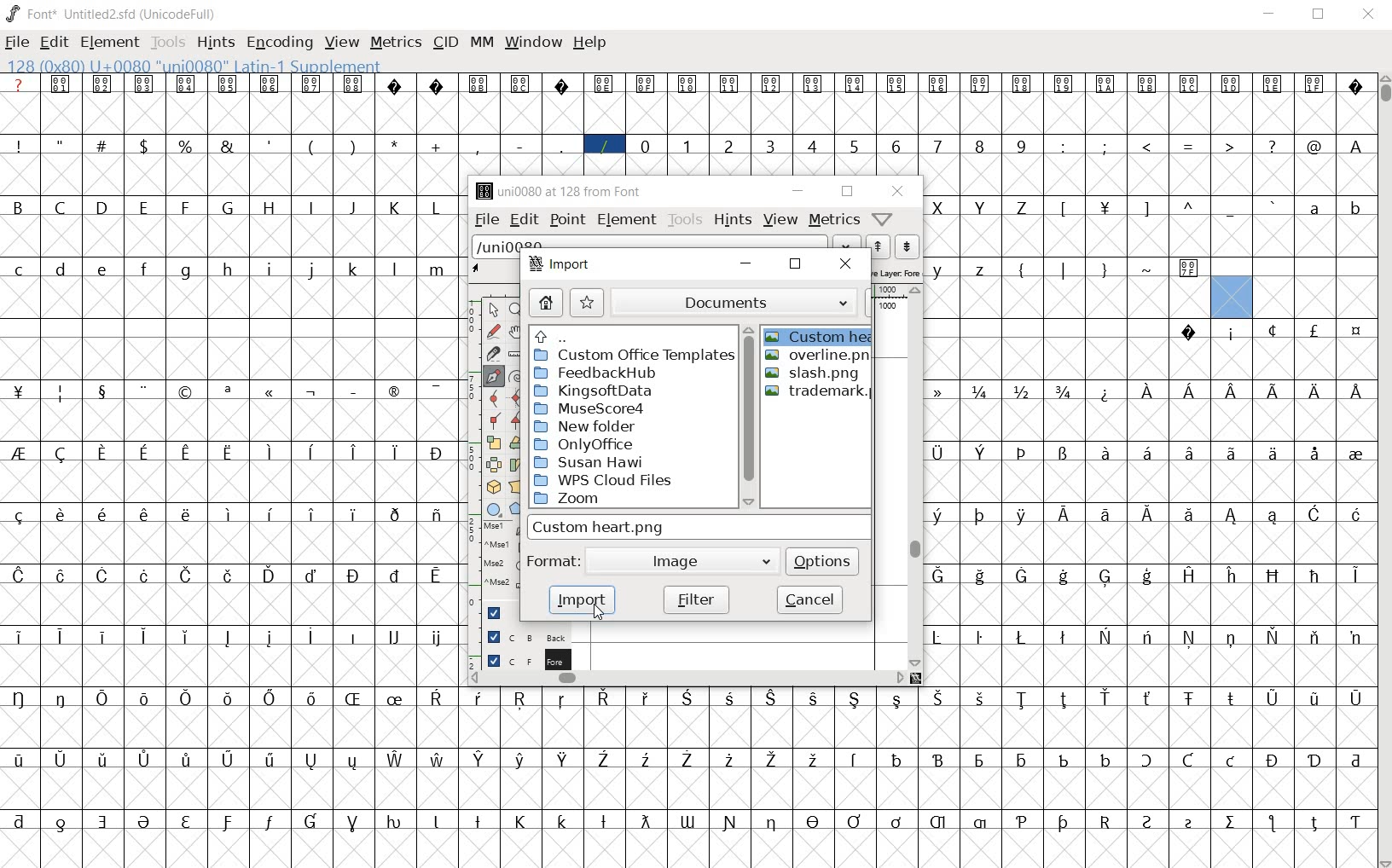 This screenshot has width=1392, height=868. What do you see at coordinates (1231, 211) in the screenshot?
I see `glyph` at bounding box center [1231, 211].